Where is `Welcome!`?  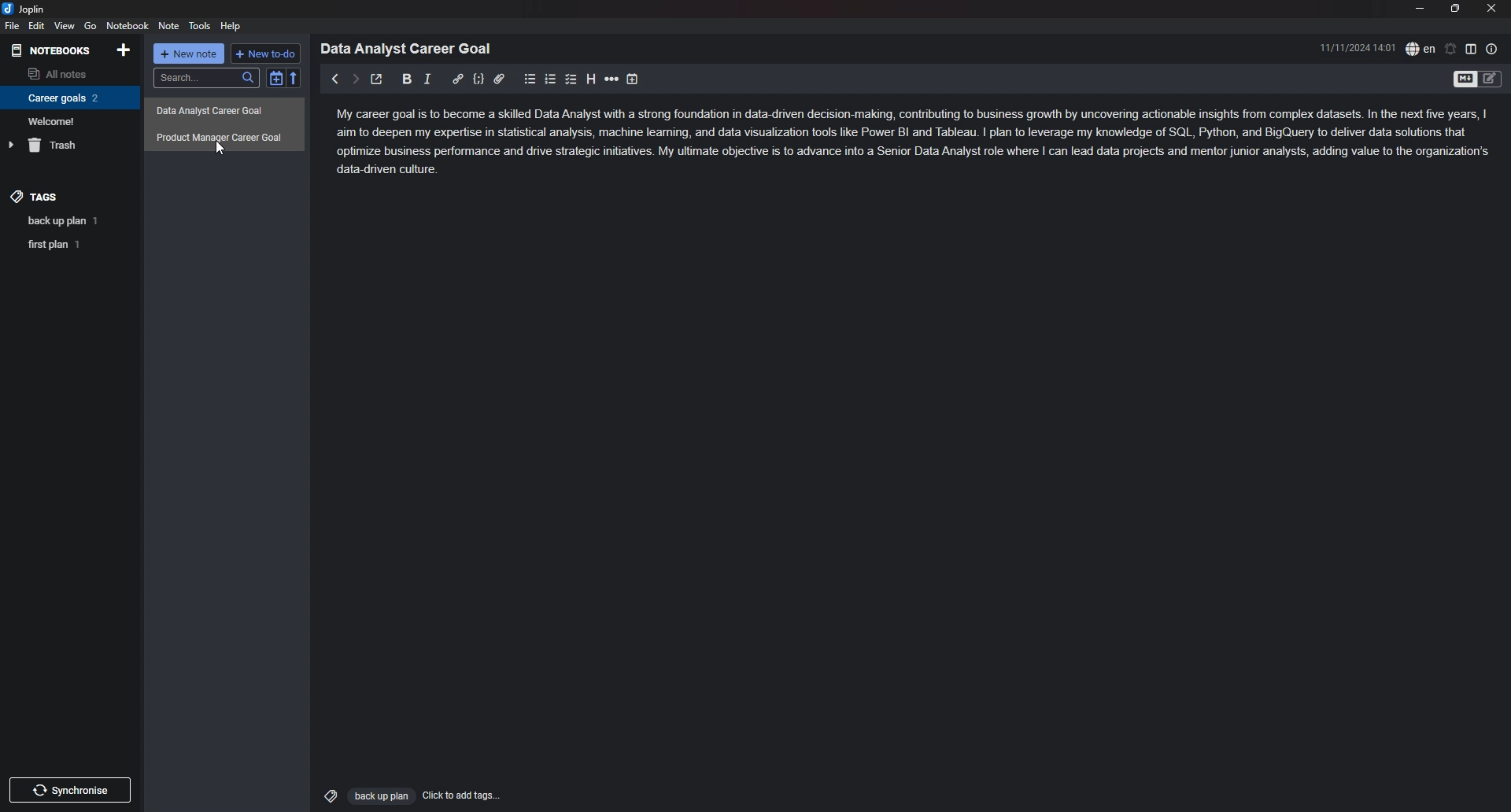 Welcome! is located at coordinates (66, 120).